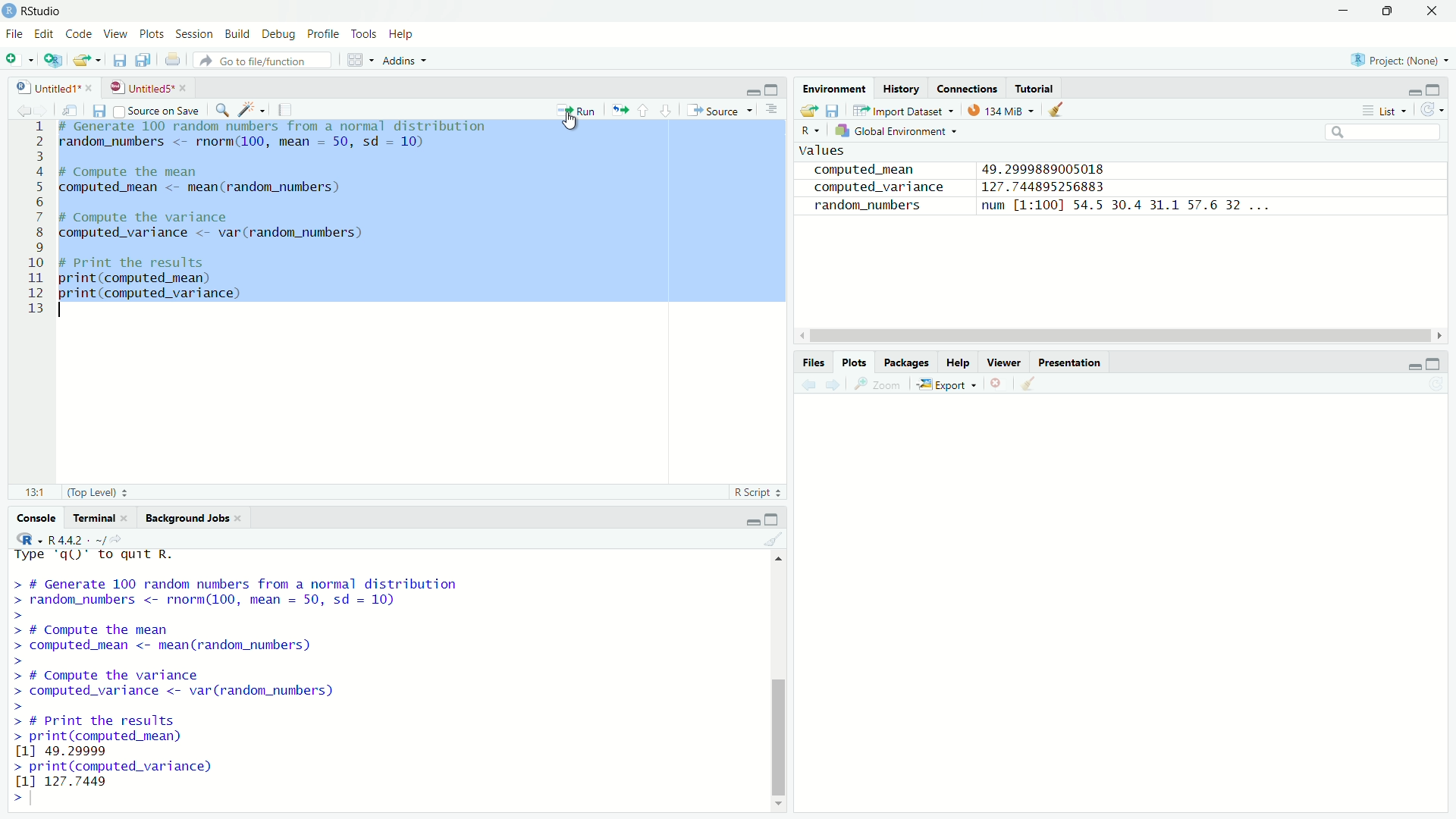  Describe the element at coordinates (226, 190) in the screenshot. I see `computed_mean <- mean(random_numbers)` at that location.